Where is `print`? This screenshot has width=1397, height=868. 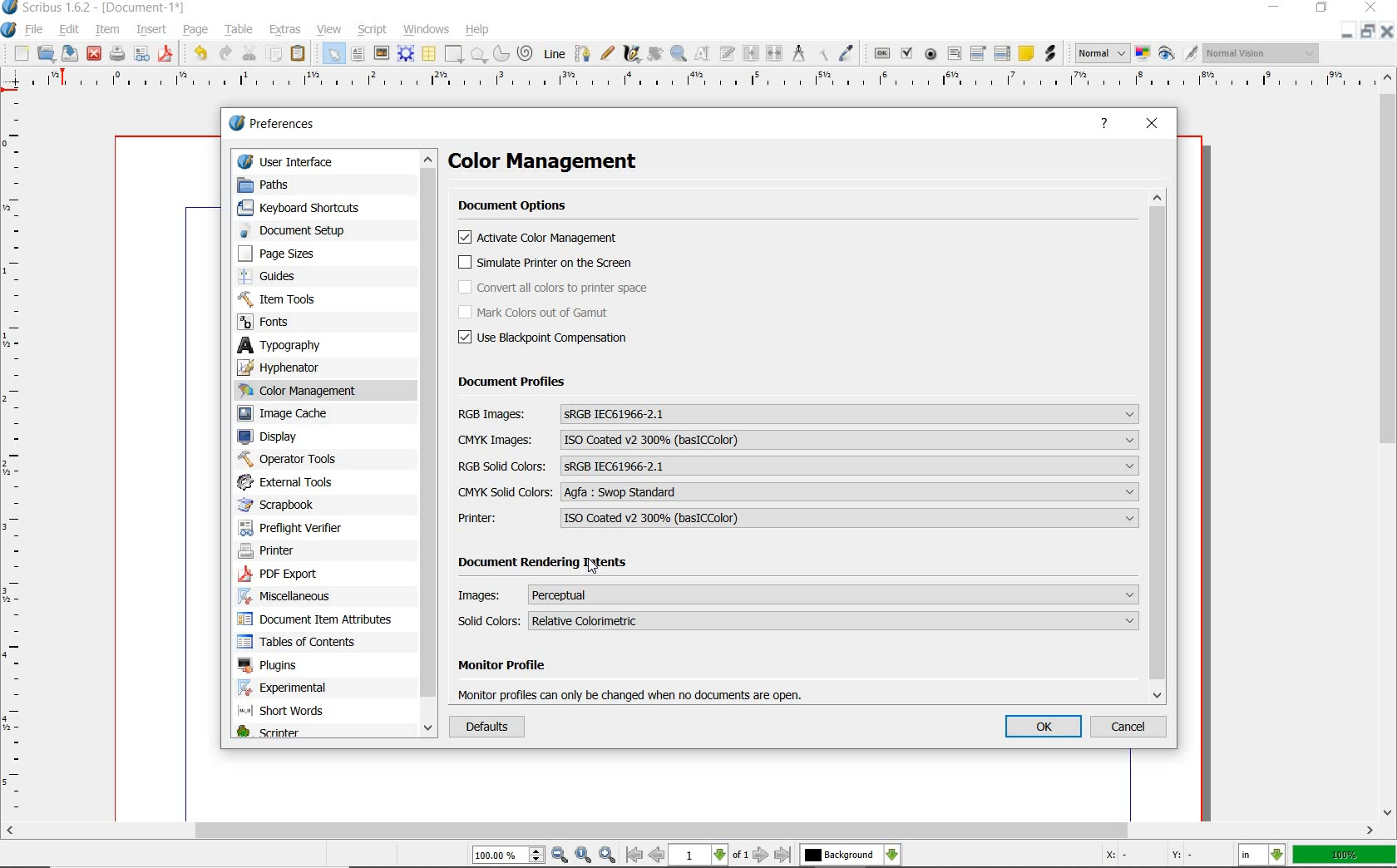 print is located at coordinates (116, 53).